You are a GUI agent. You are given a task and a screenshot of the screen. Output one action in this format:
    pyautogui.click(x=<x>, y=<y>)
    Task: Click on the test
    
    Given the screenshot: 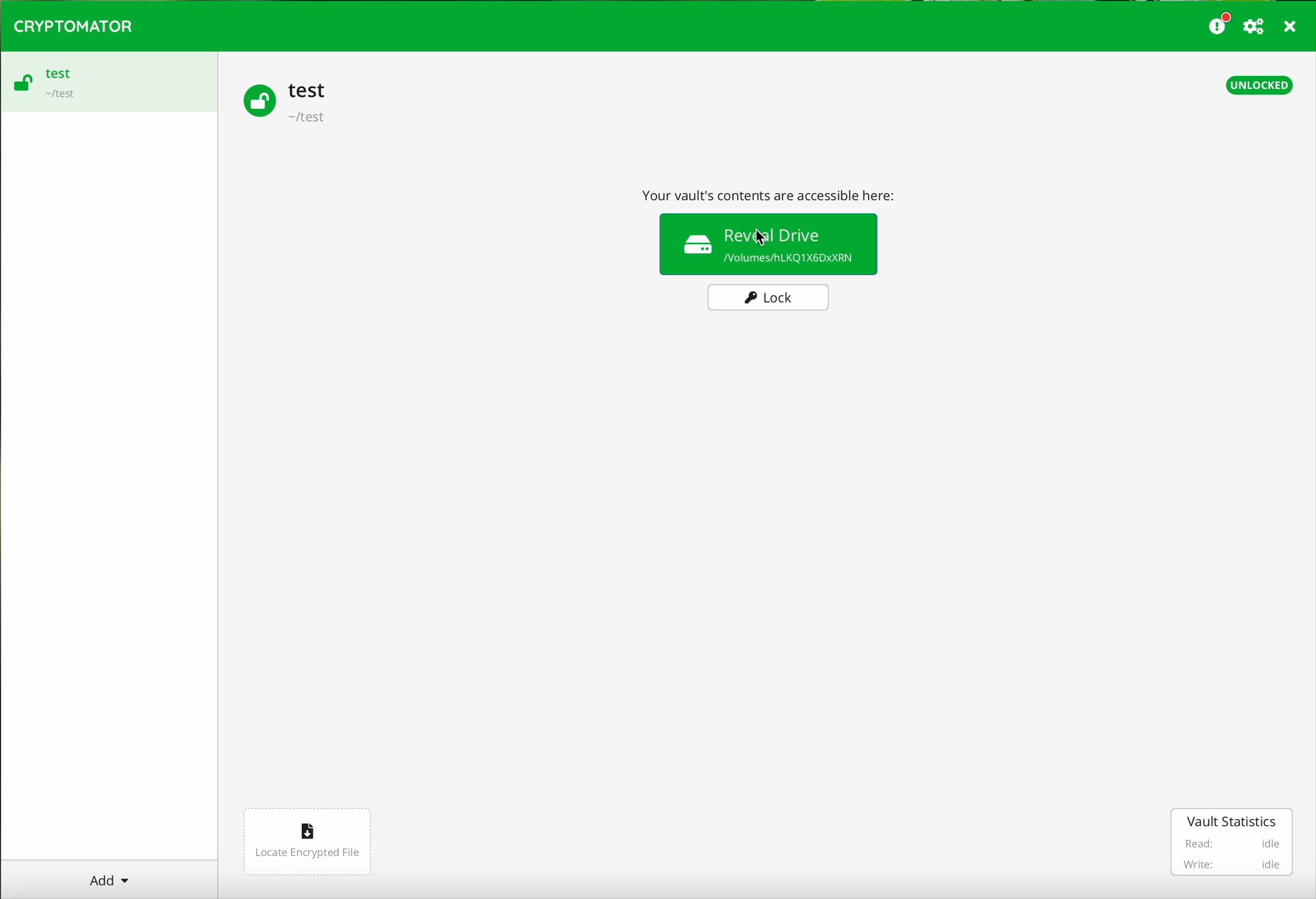 What is the action you would take?
    pyautogui.click(x=307, y=90)
    